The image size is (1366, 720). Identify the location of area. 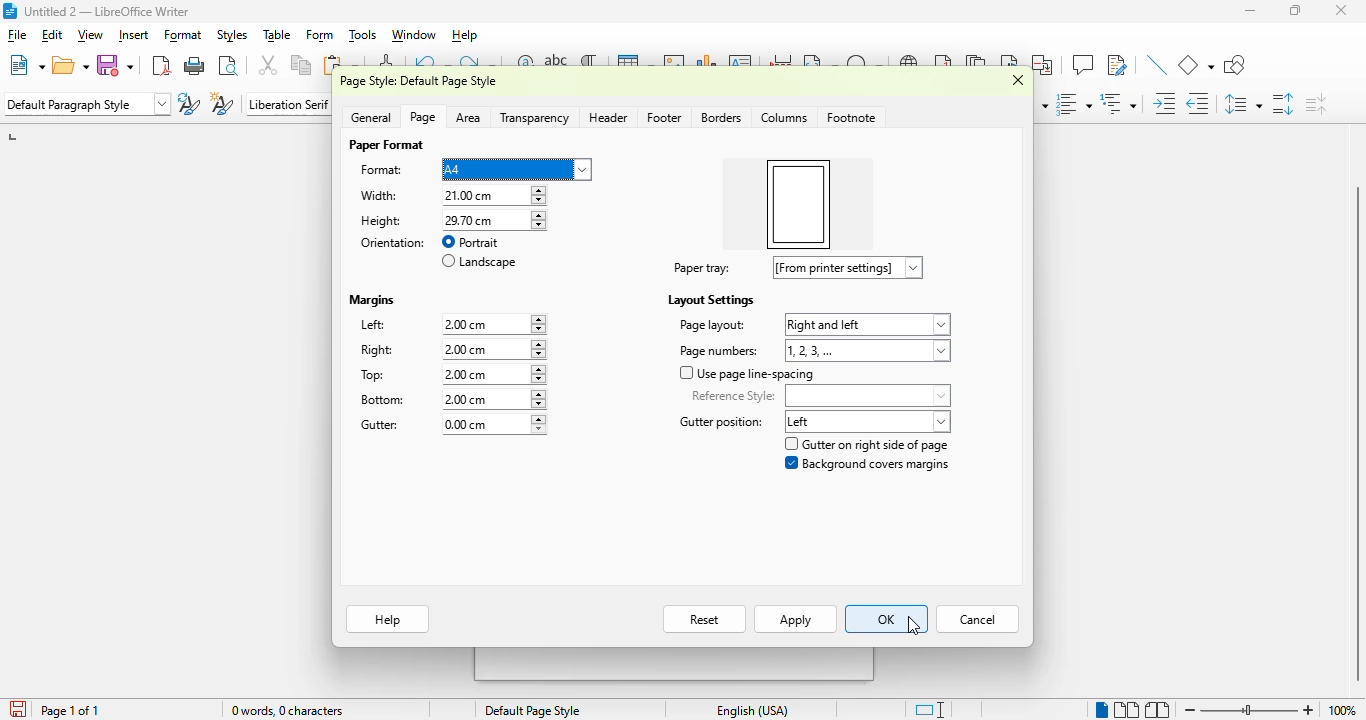
(470, 118).